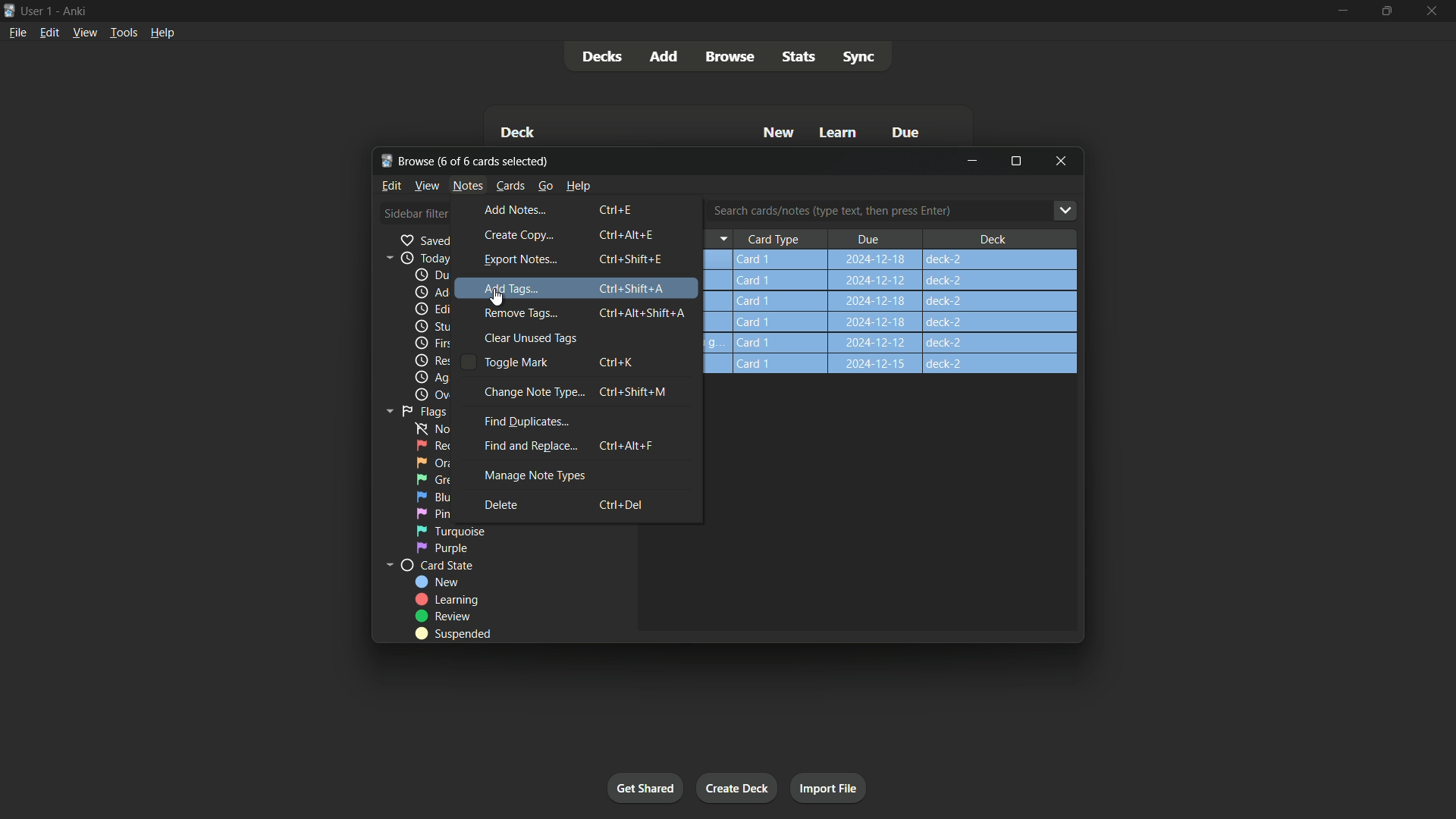 This screenshot has height=819, width=1456. Describe the element at coordinates (530, 445) in the screenshot. I see `find and replace` at that location.